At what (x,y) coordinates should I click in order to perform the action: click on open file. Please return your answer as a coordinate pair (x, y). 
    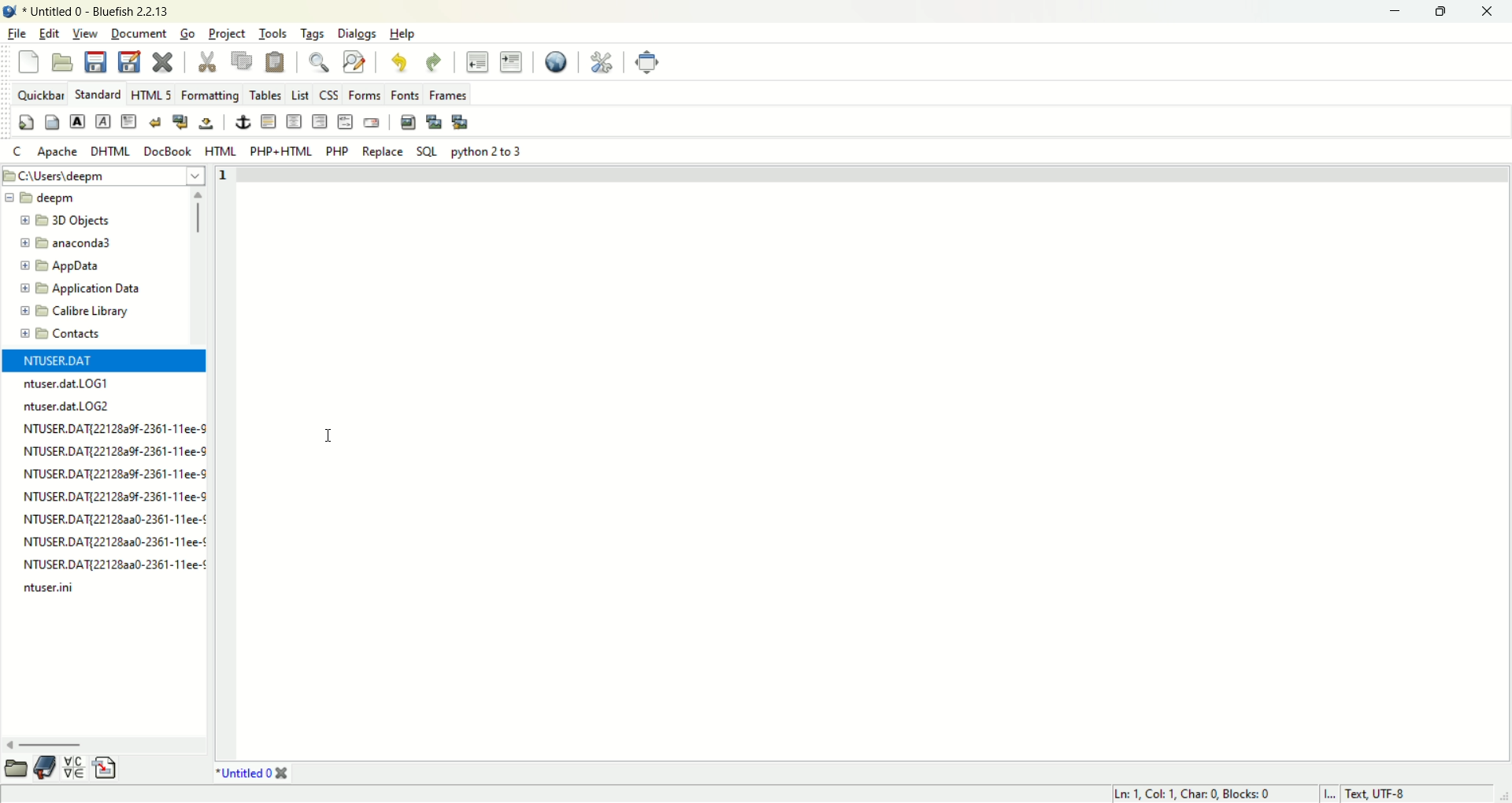
    Looking at the image, I should click on (64, 61).